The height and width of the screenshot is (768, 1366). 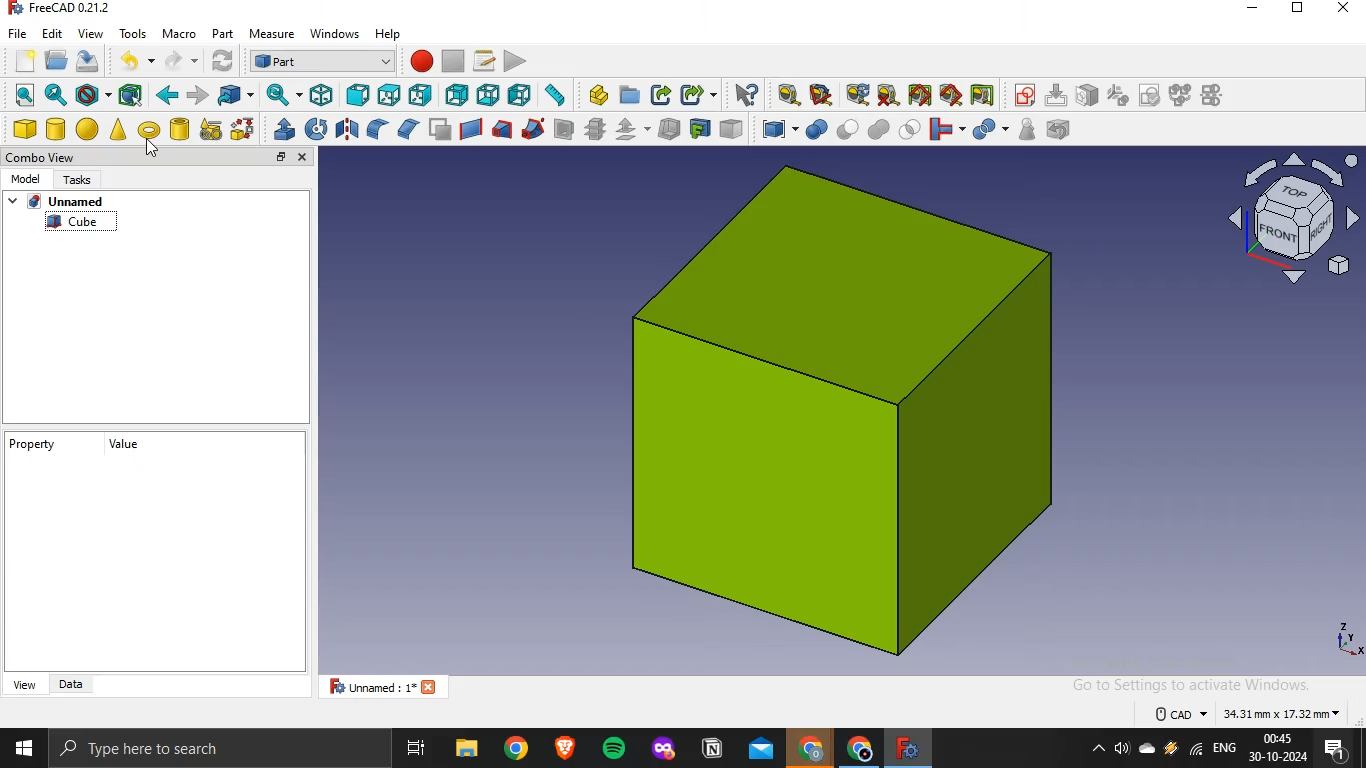 What do you see at coordinates (790, 94) in the screenshot?
I see `measure linear` at bounding box center [790, 94].